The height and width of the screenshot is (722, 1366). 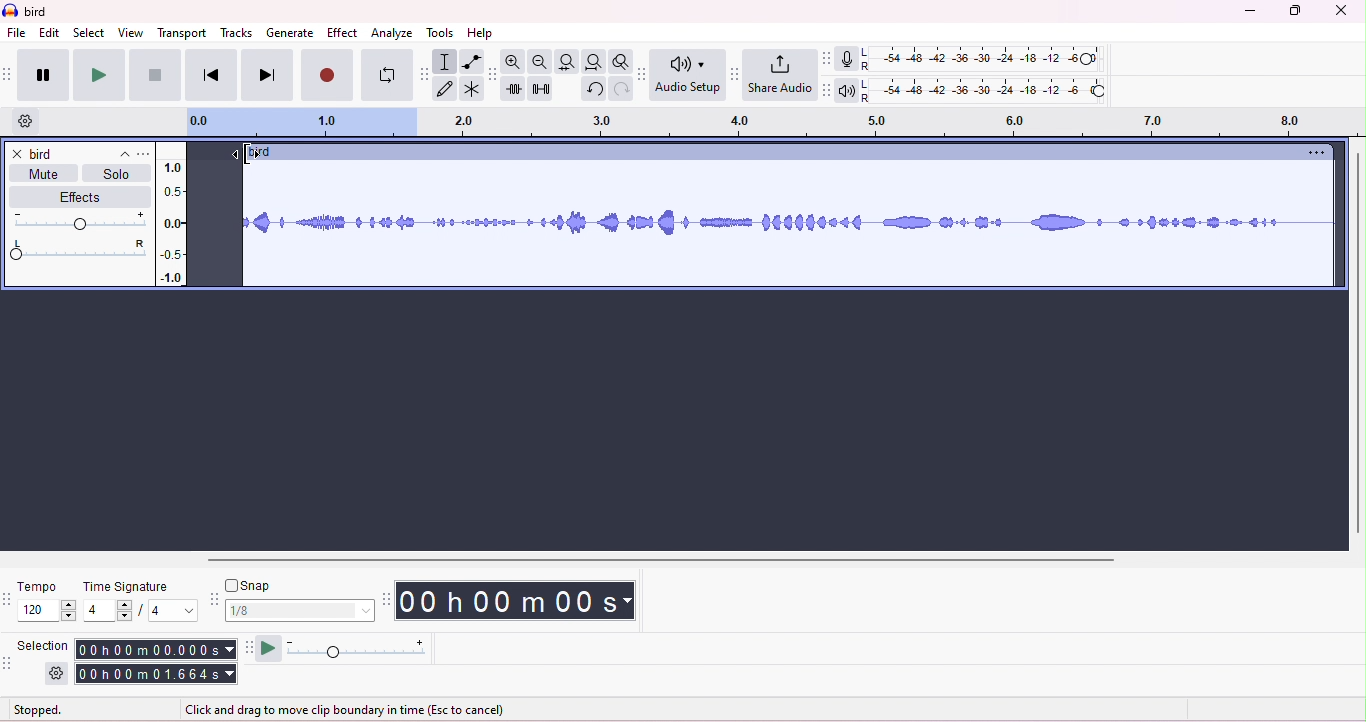 I want to click on fit project to width, so click(x=593, y=63).